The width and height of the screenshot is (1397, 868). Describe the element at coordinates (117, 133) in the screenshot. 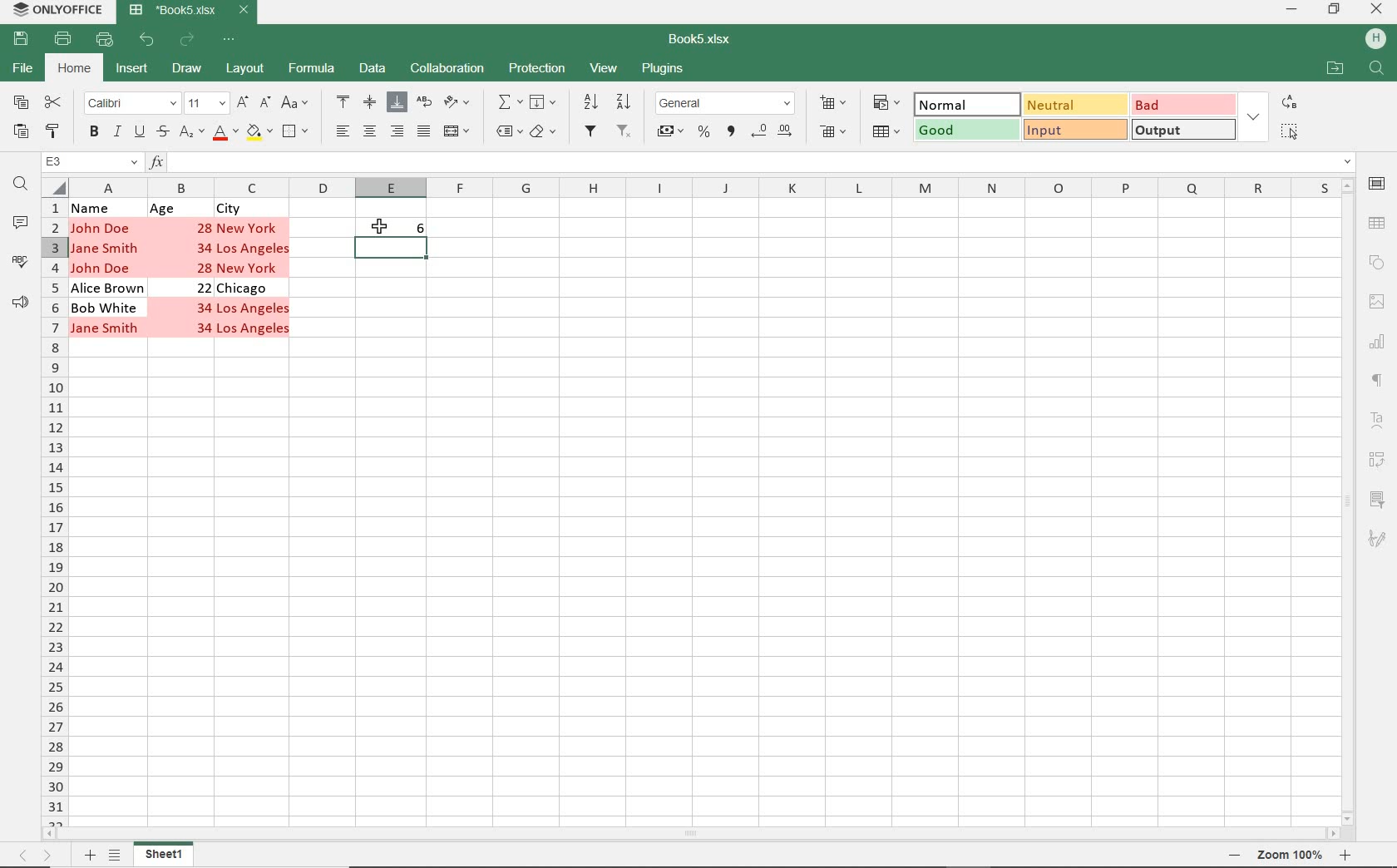

I see `ITALIC` at that location.